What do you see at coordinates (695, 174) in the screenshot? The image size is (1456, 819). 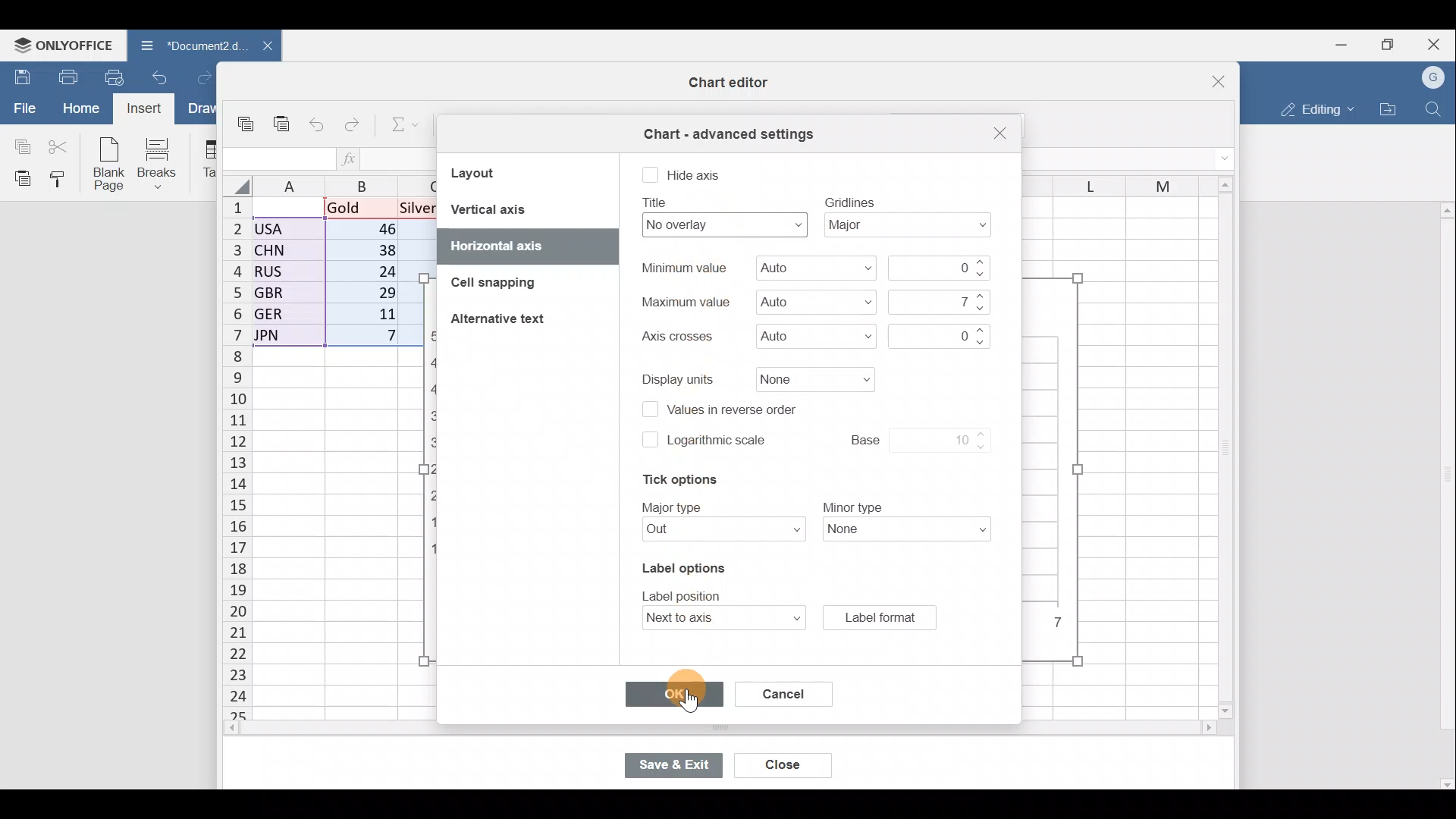 I see `Hide axis` at bounding box center [695, 174].